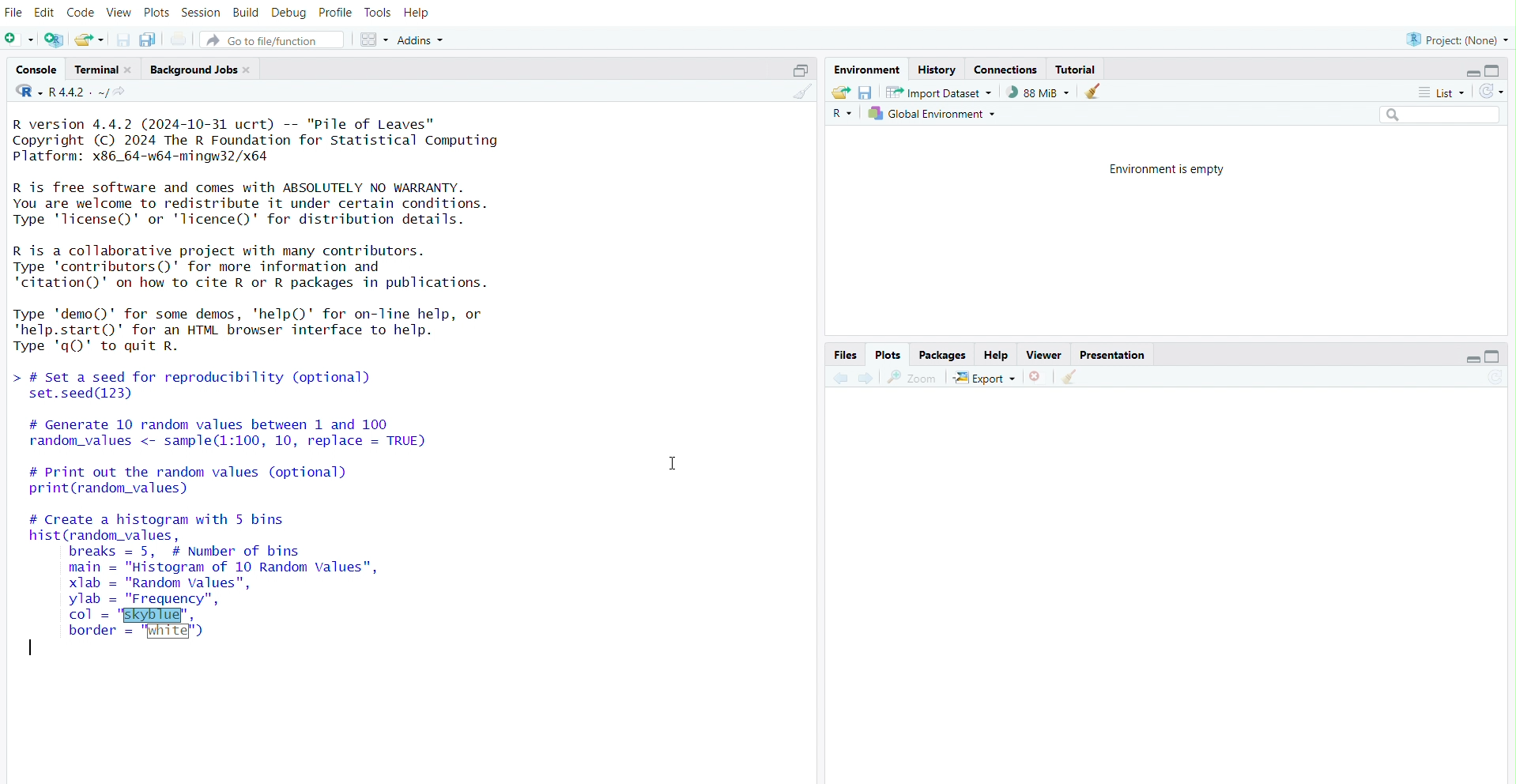 The width and height of the screenshot is (1516, 784). What do you see at coordinates (985, 378) in the screenshot?
I see `export` at bounding box center [985, 378].